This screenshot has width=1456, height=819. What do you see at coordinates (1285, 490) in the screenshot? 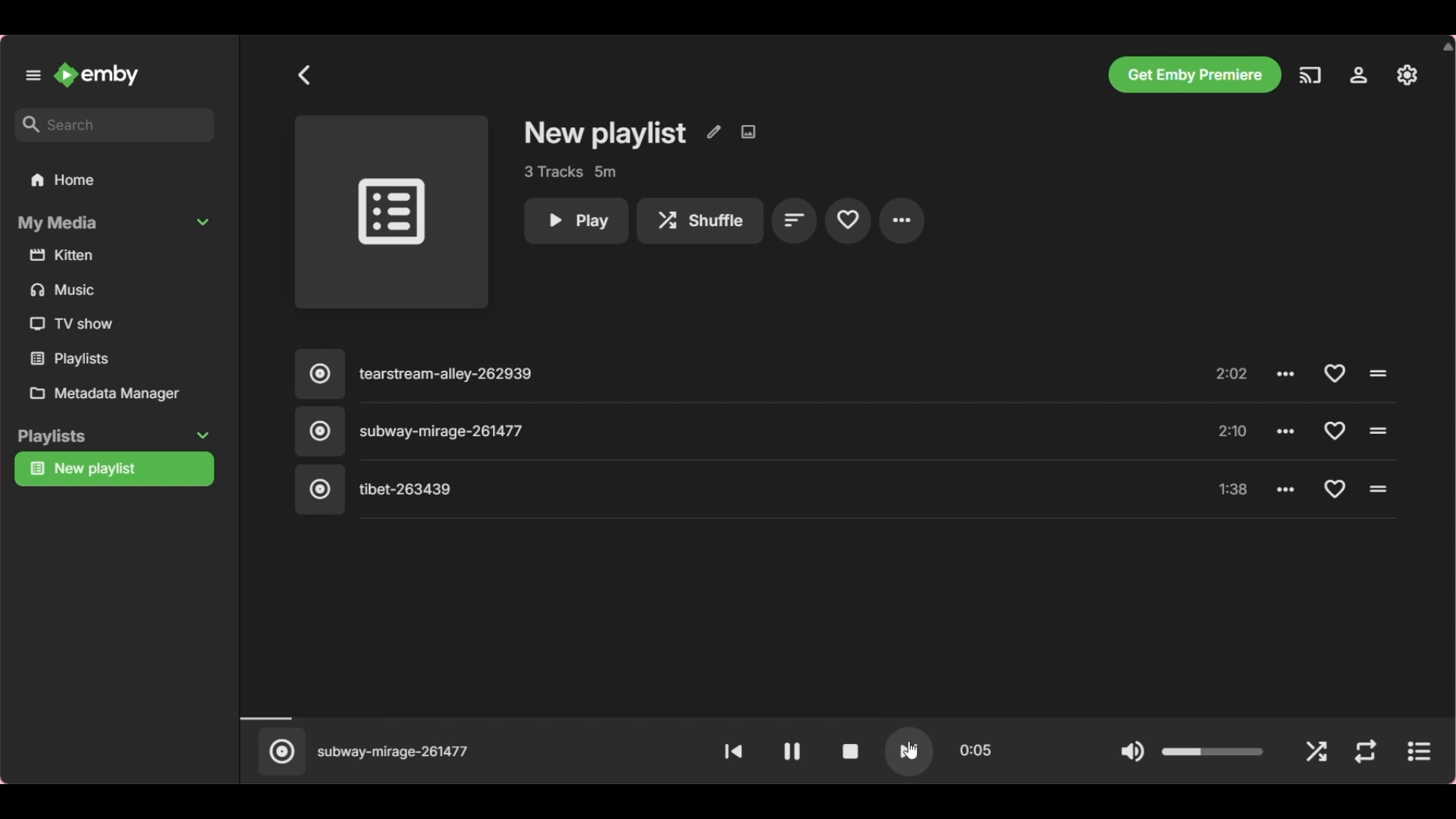
I see `options` at bounding box center [1285, 490].